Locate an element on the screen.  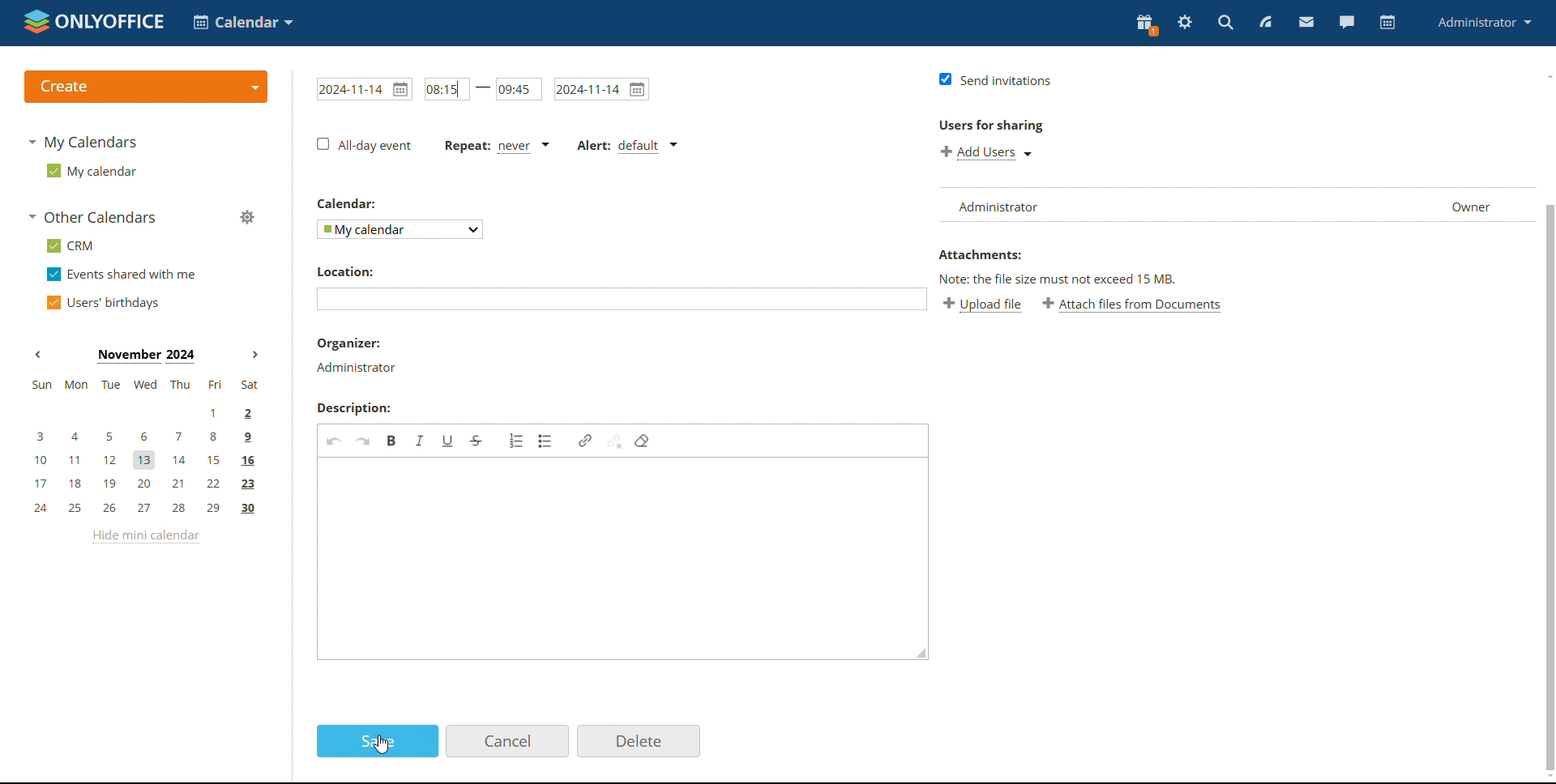
Strike through is located at coordinates (478, 441).